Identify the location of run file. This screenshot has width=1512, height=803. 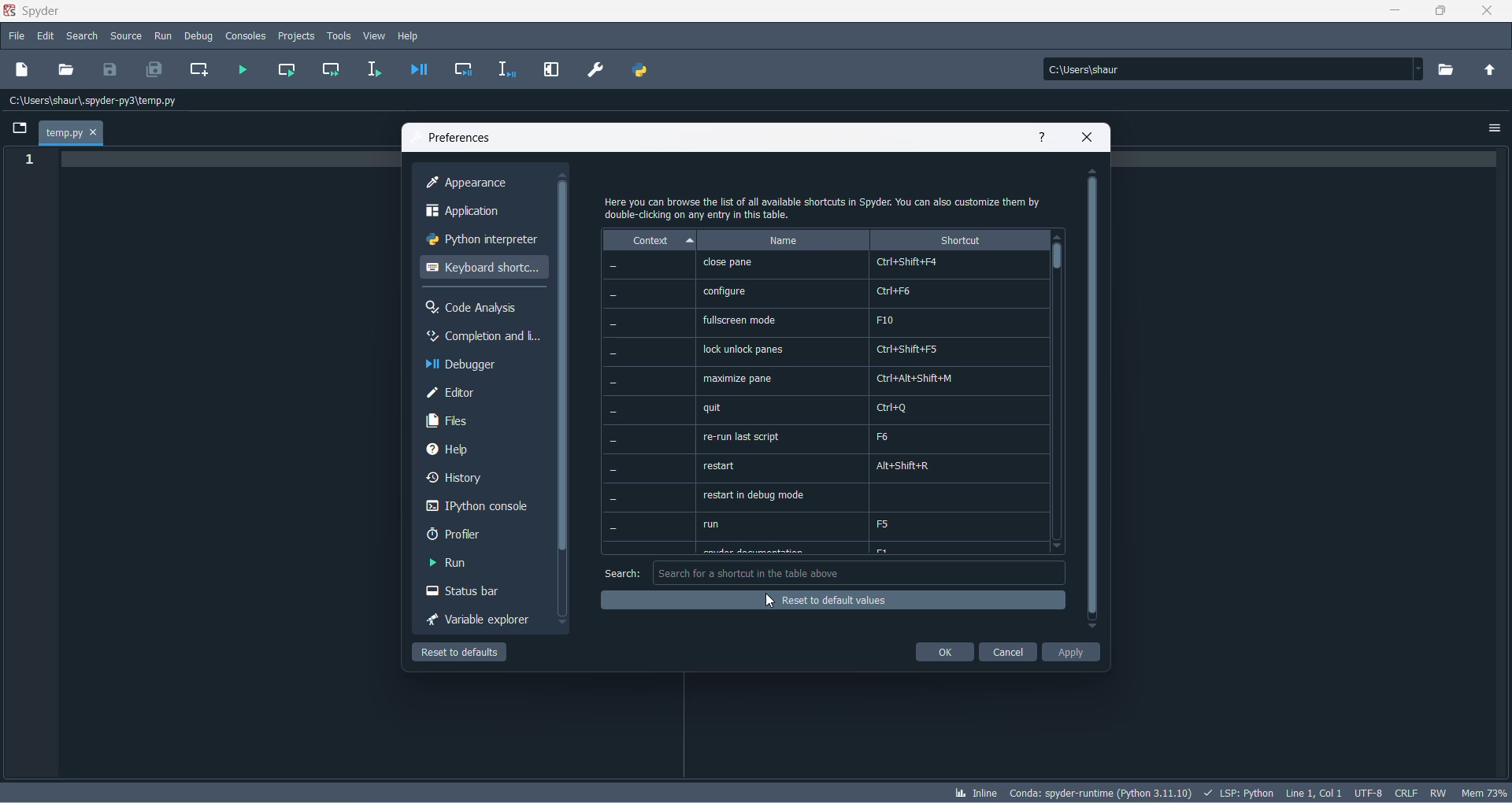
(239, 70).